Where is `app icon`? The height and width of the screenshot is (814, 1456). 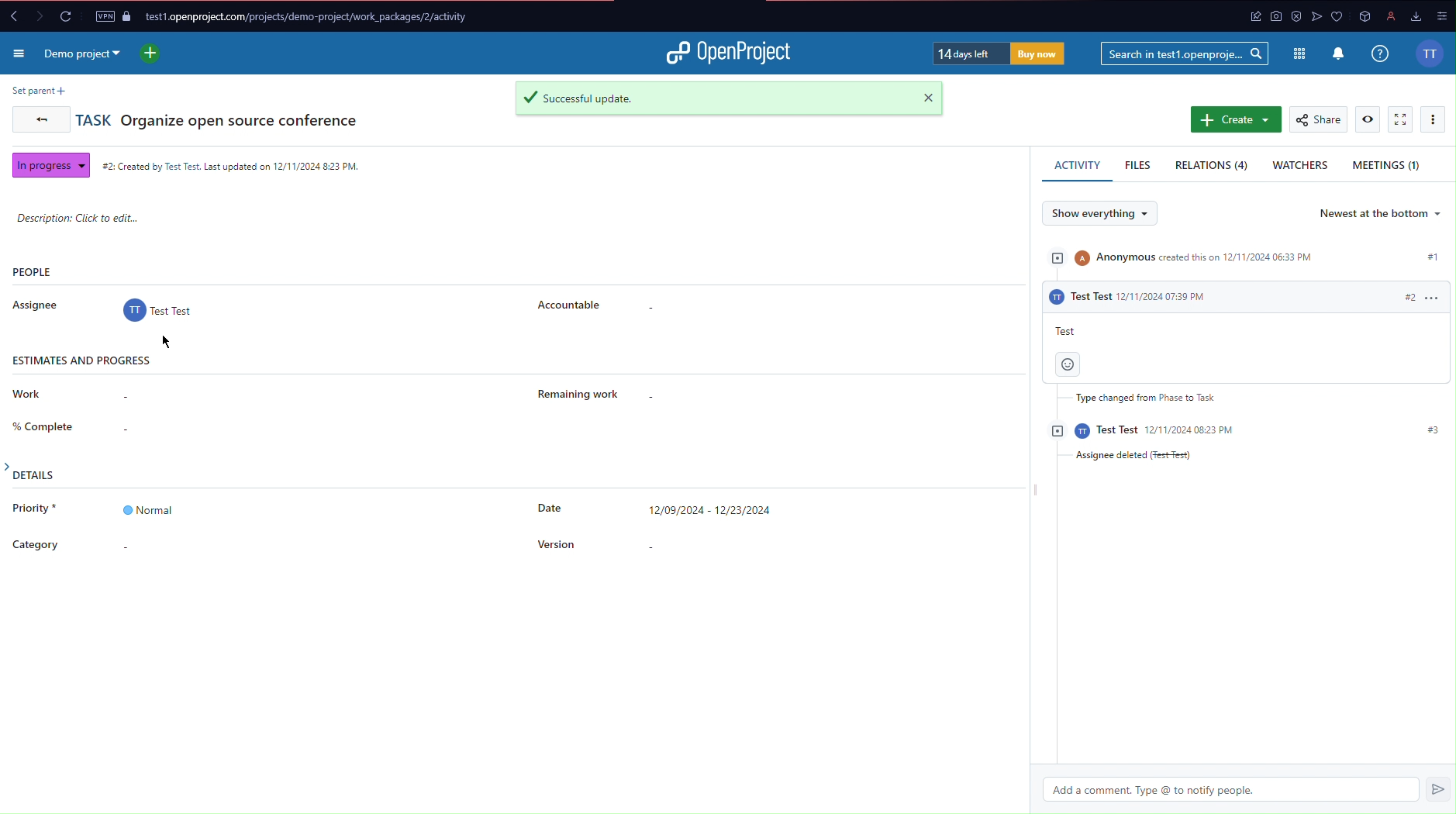
app icon is located at coordinates (1313, 16).